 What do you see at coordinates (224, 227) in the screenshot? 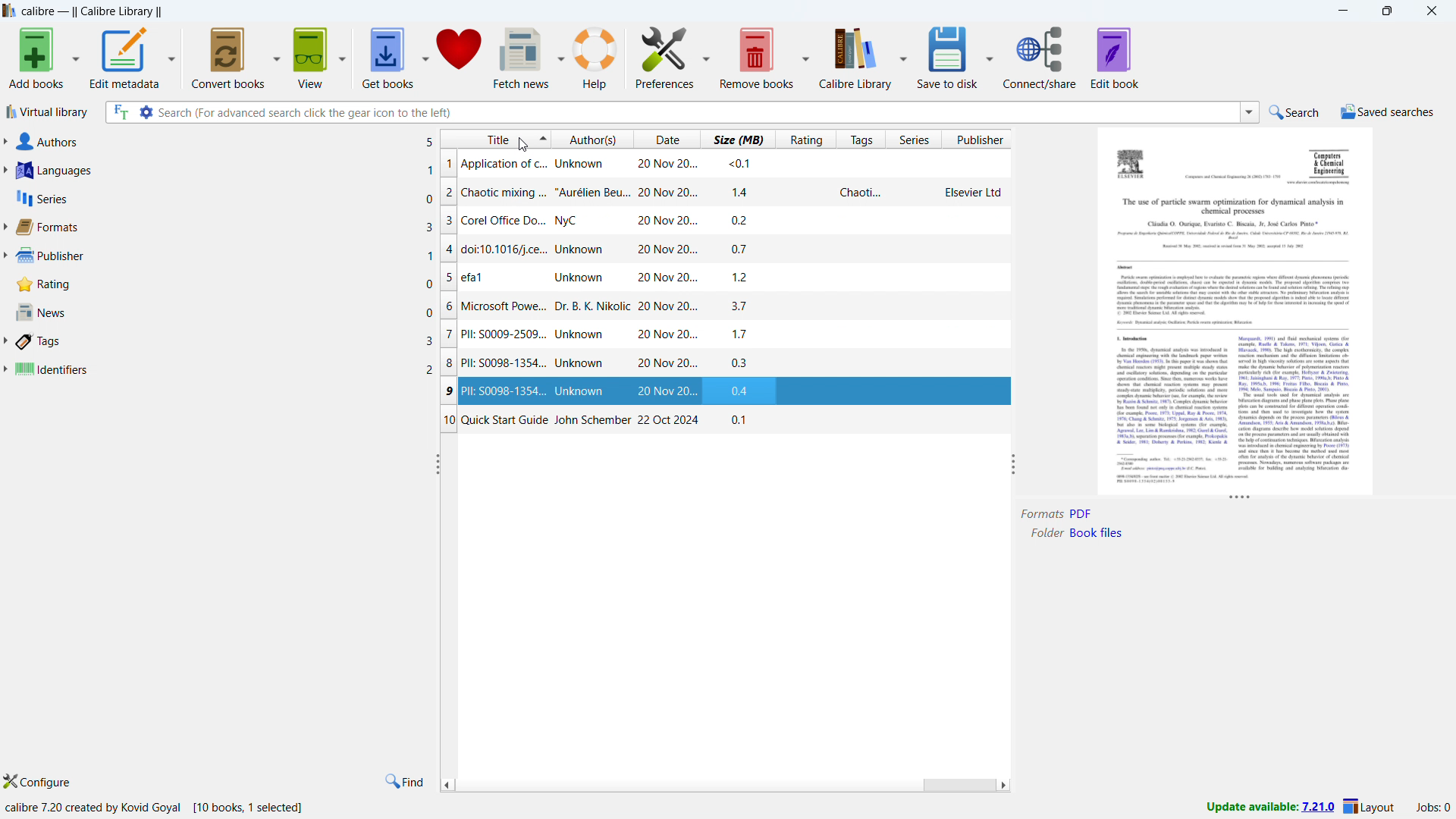
I see `formats` at bounding box center [224, 227].